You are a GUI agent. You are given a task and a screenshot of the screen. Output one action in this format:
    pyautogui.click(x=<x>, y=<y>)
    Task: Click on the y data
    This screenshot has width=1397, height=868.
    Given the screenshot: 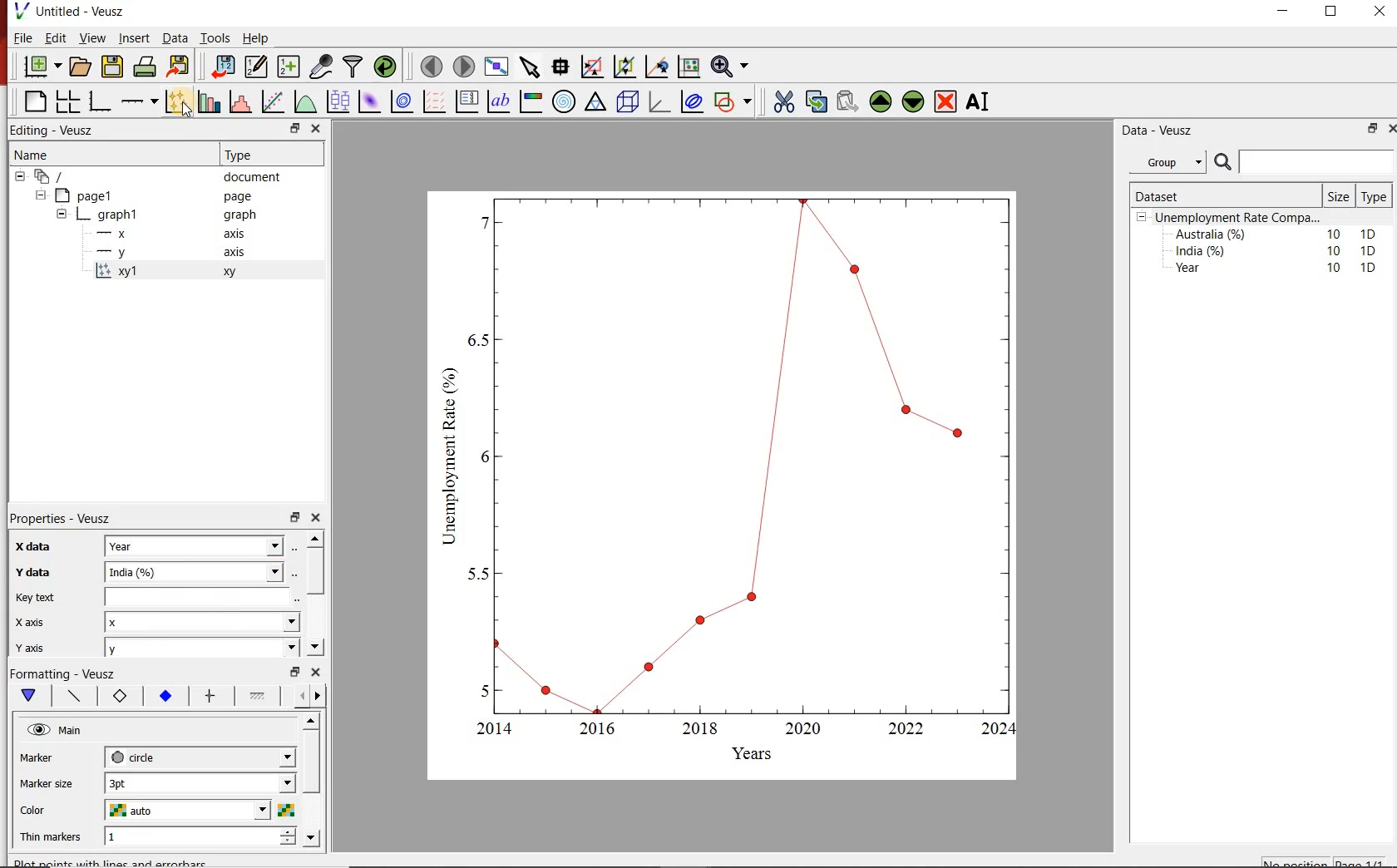 What is the action you would take?
    pyautogui.click(x=36, y=572)
    